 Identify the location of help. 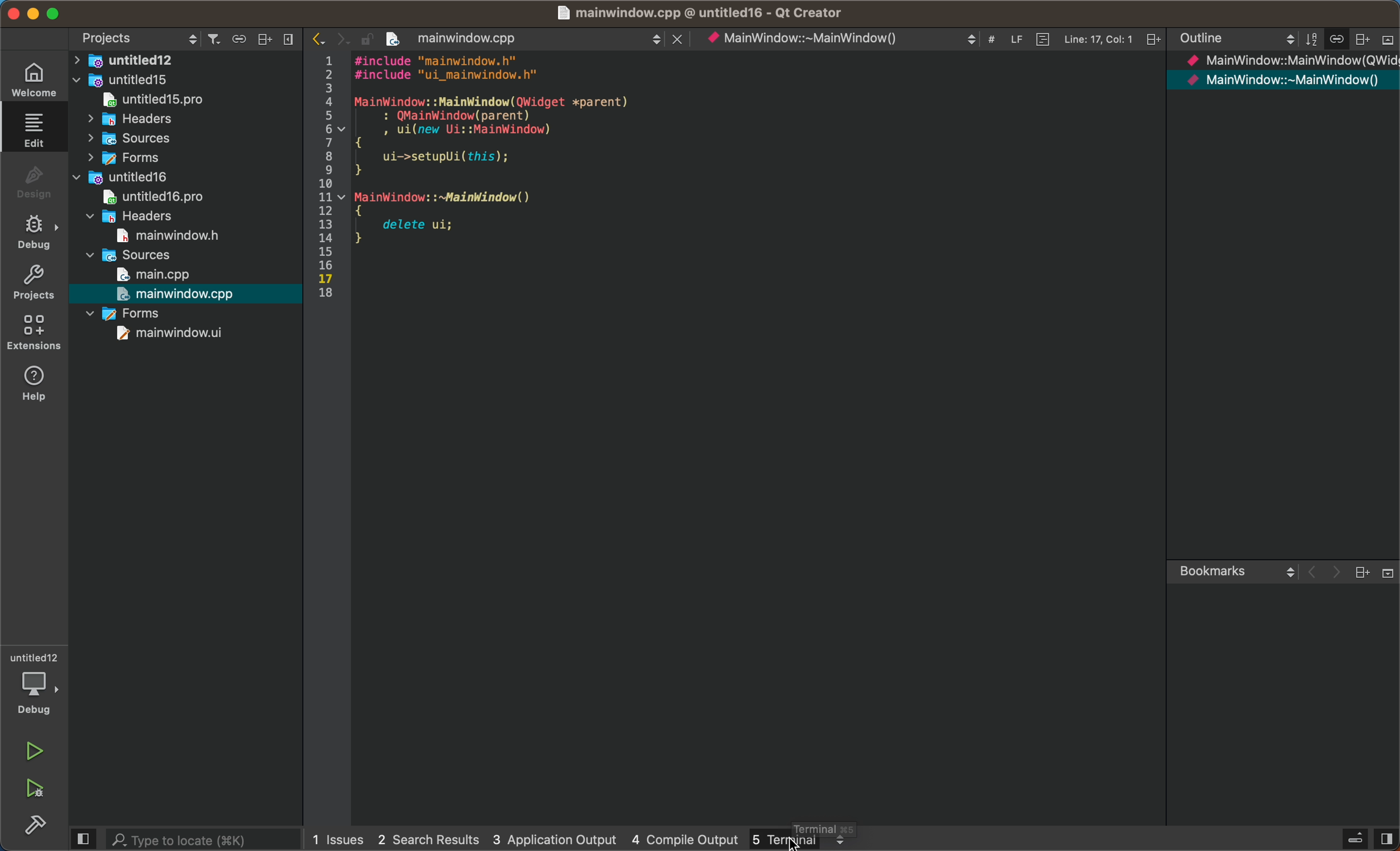
(39, 384).